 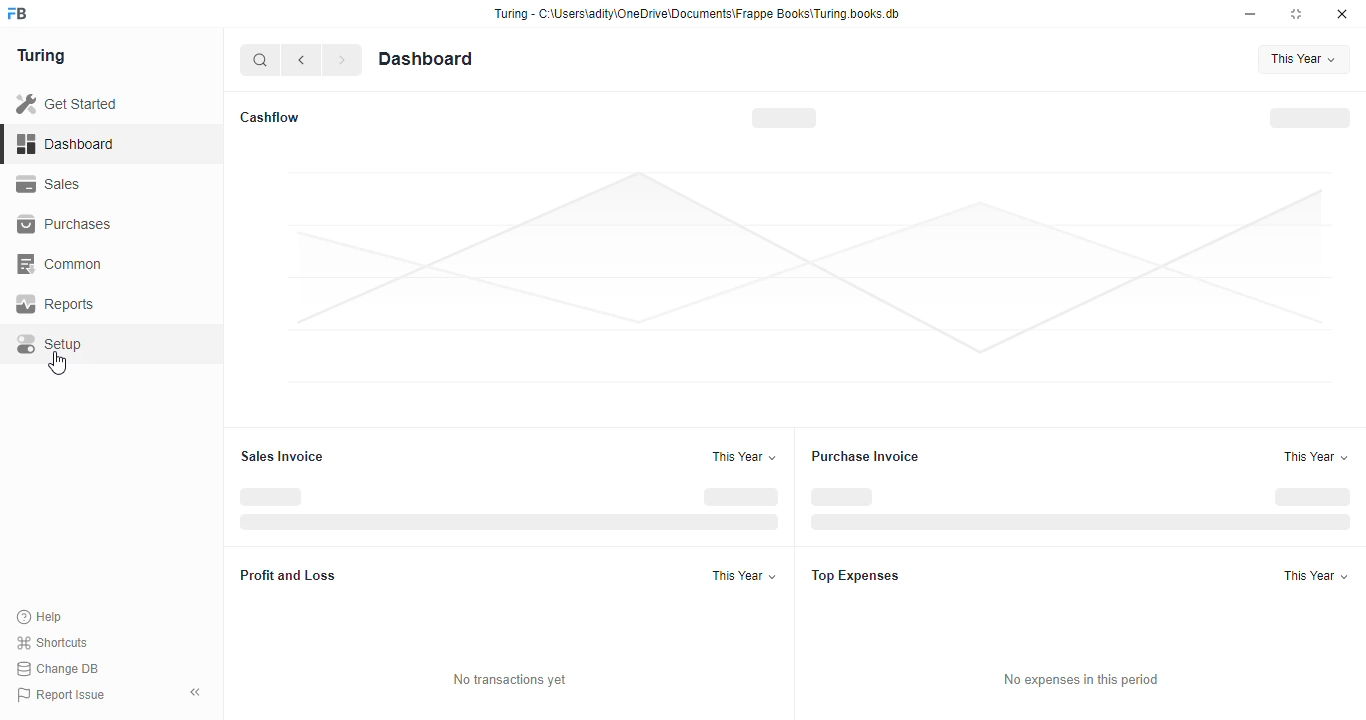 What do you see at coordinates (60, 364) in the screenshot?
I see `cursor` at bounding box center [60, 364].